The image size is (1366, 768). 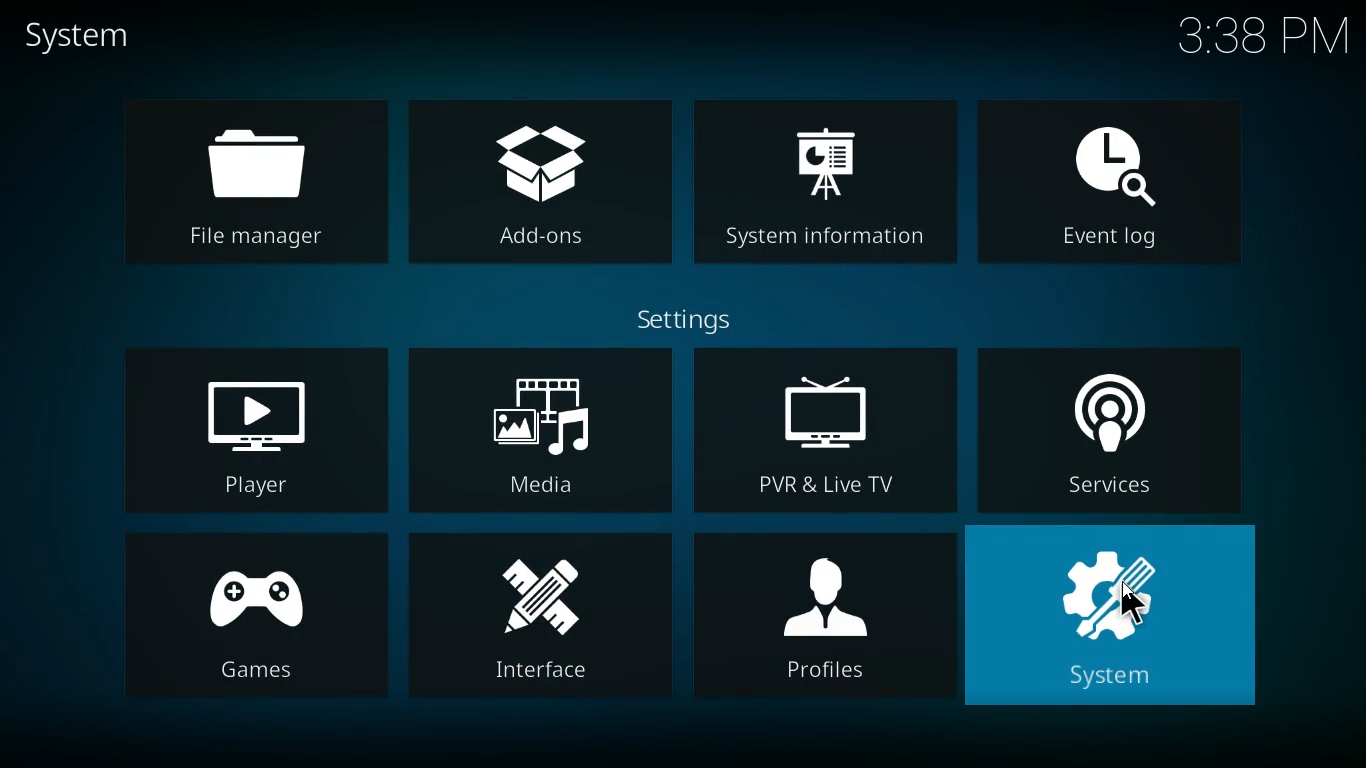 What do you see at coordinates (89, 36) in the screenshot?
I see `system` at bounding box center [89, 36].